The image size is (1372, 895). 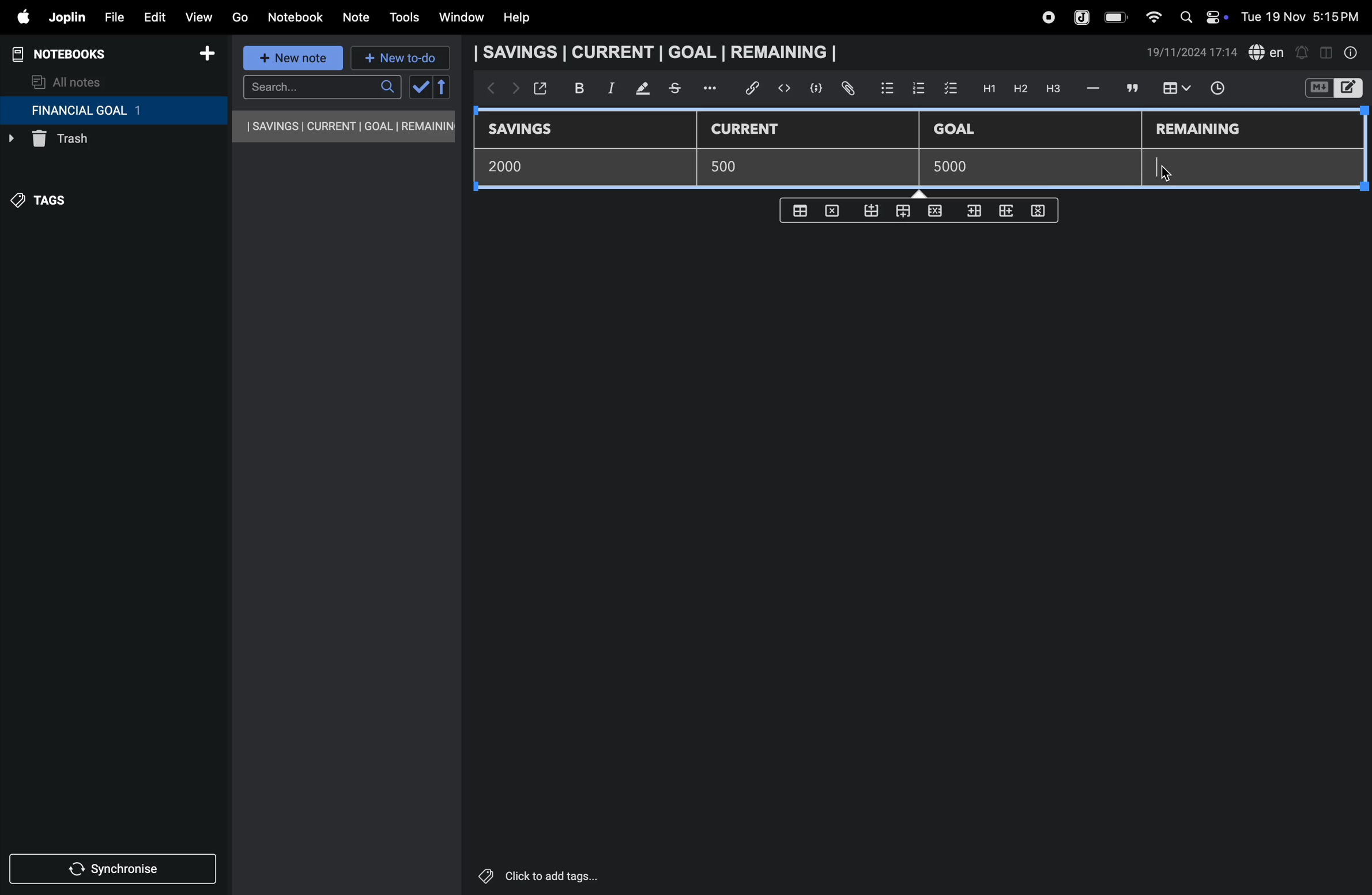 What do you see at coordinates (539, 88) in the screenshot?
I see `open window` at bounding box center [539, 88].